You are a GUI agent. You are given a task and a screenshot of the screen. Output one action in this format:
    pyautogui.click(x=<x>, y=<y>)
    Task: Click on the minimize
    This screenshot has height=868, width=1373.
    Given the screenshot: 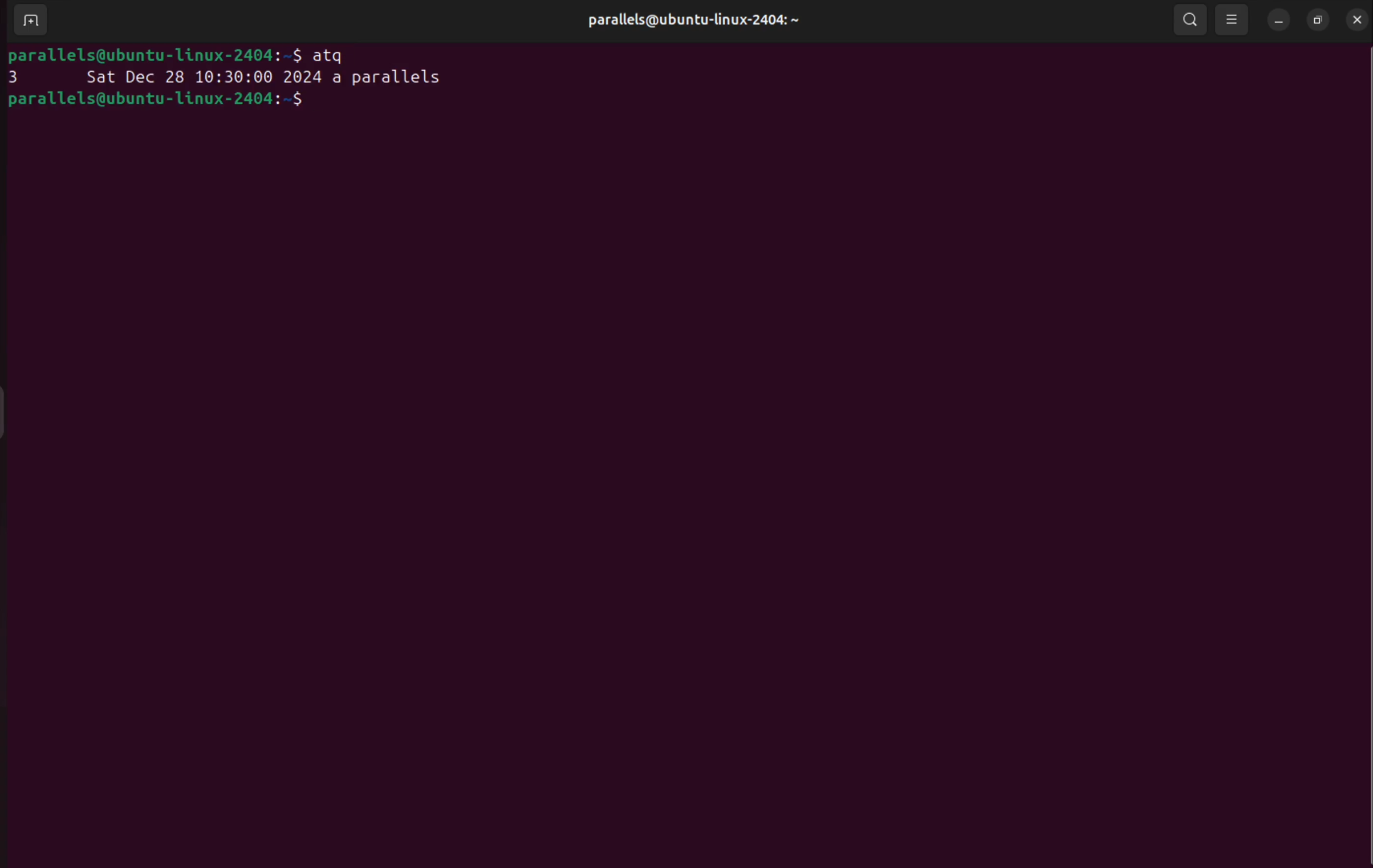 What is the action you would take?
    pyautogui.click(x=1276, y=22)
    